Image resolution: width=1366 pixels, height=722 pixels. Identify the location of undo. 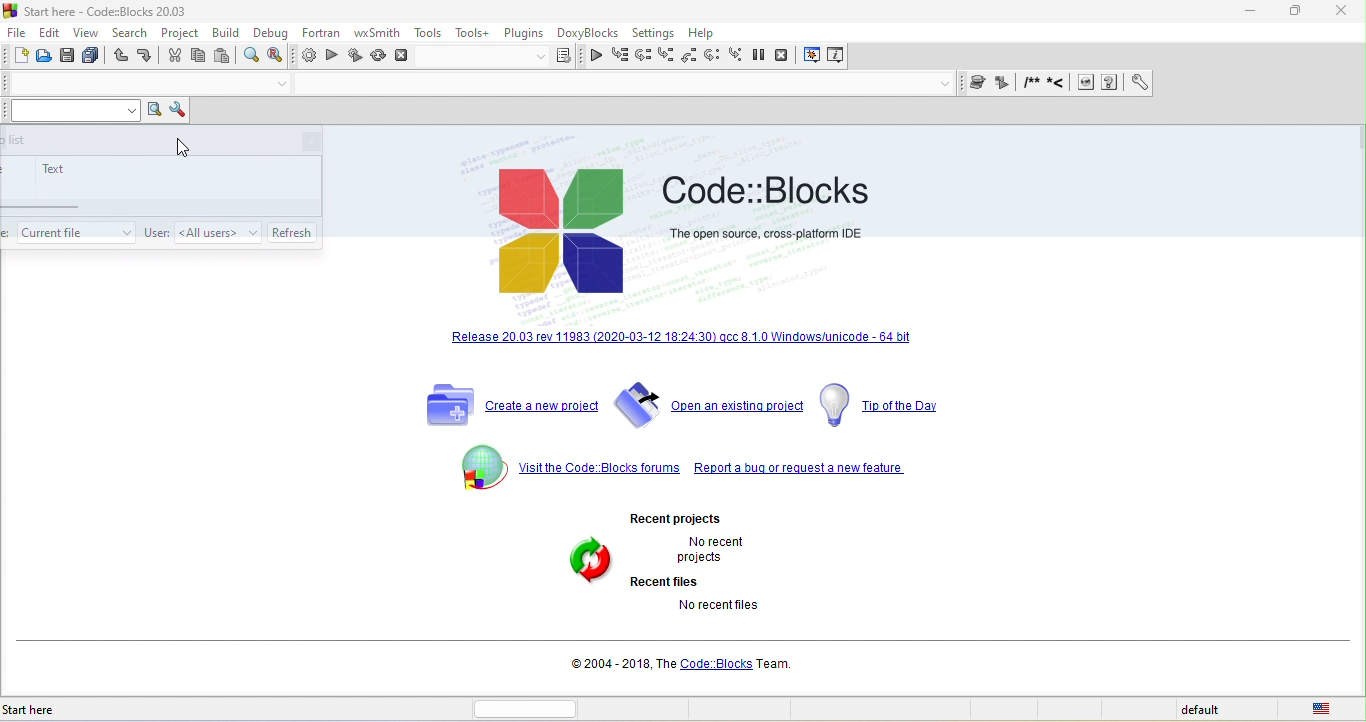
(120, 58).